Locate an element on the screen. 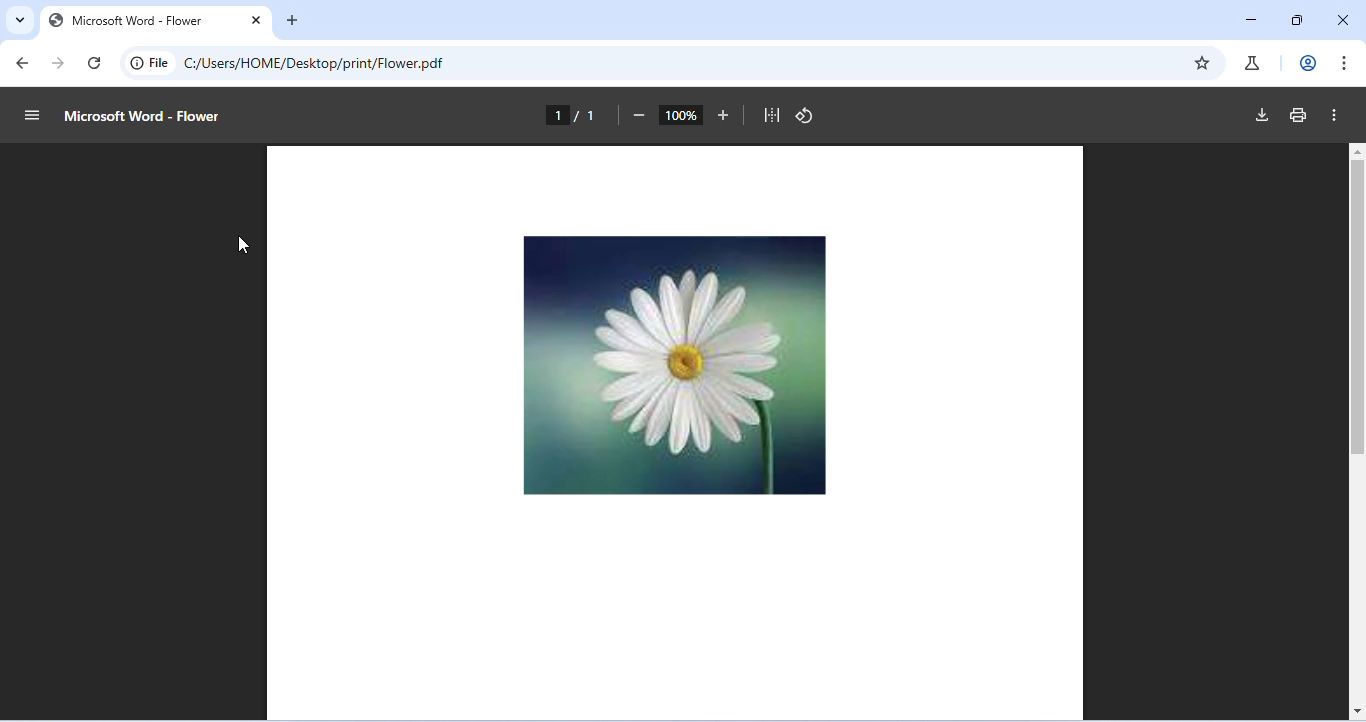  C:/Users/HOME/Desktop/print/Flower.pdf is located at coordinates (345, 64).